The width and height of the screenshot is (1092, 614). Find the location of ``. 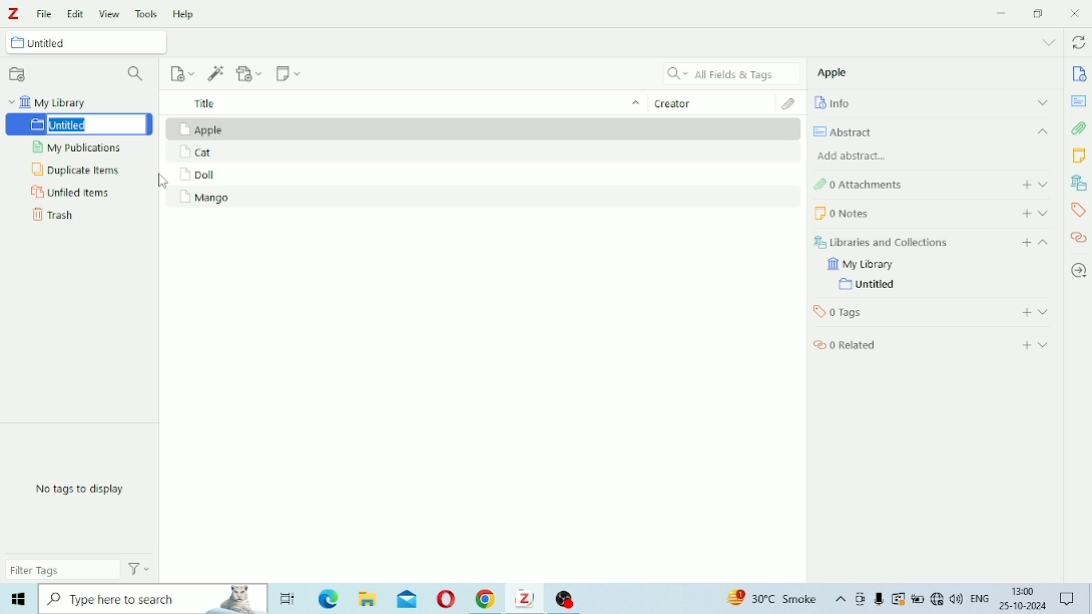

 is located at coordinates (525, 601).